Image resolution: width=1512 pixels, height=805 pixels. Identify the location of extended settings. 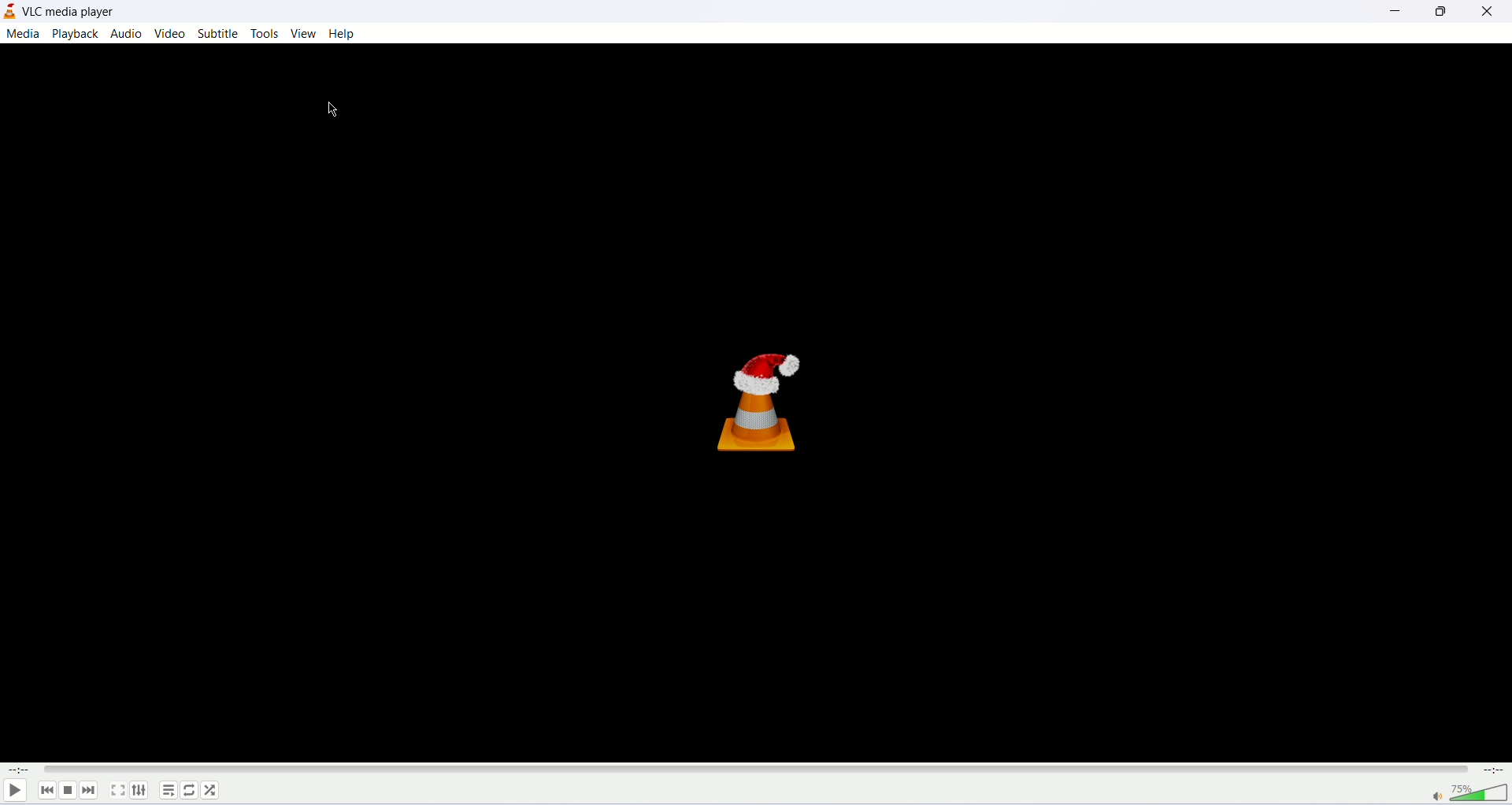
(139, 792).